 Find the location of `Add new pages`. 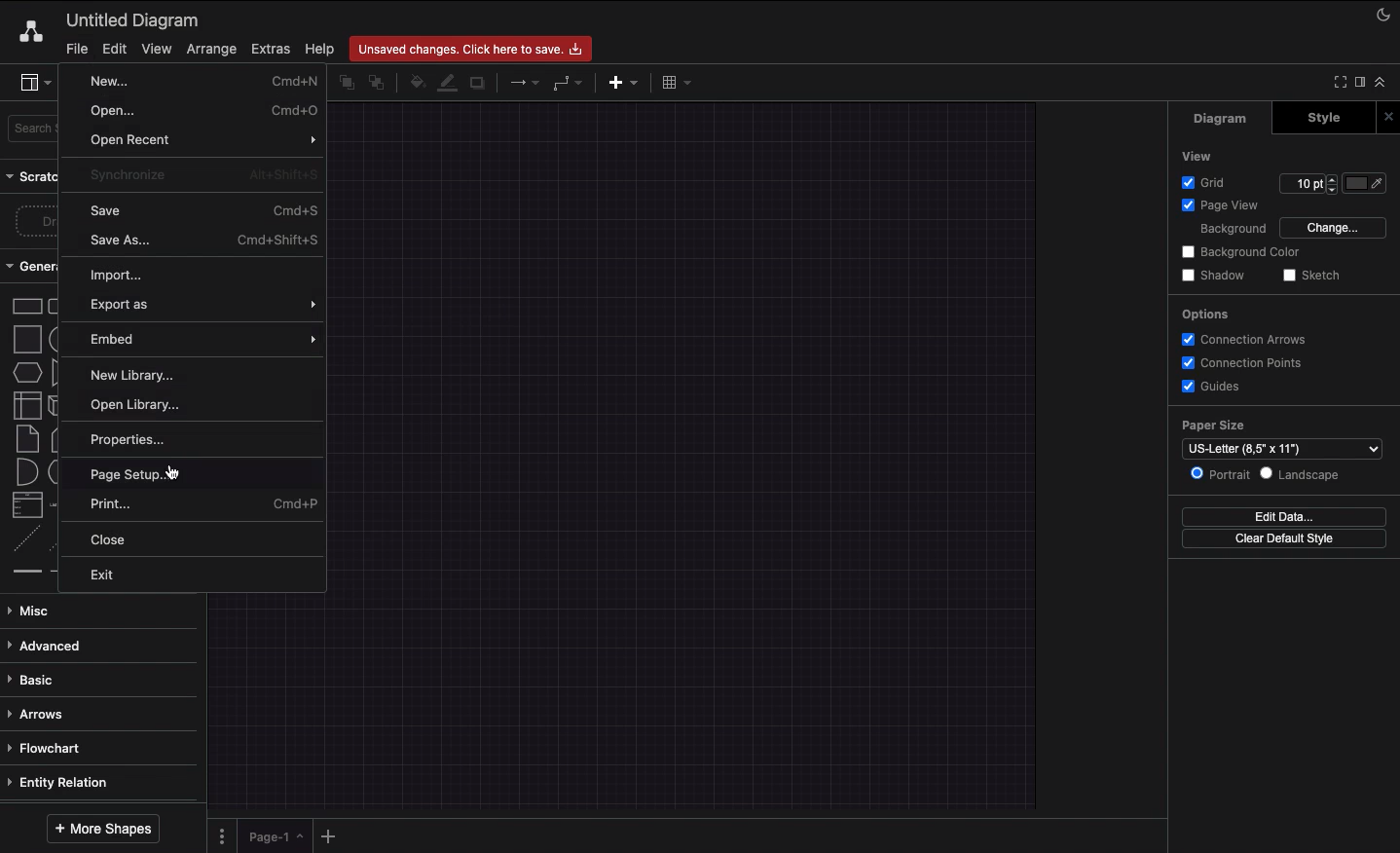

Add new pages is located at coordinates (331, 837).